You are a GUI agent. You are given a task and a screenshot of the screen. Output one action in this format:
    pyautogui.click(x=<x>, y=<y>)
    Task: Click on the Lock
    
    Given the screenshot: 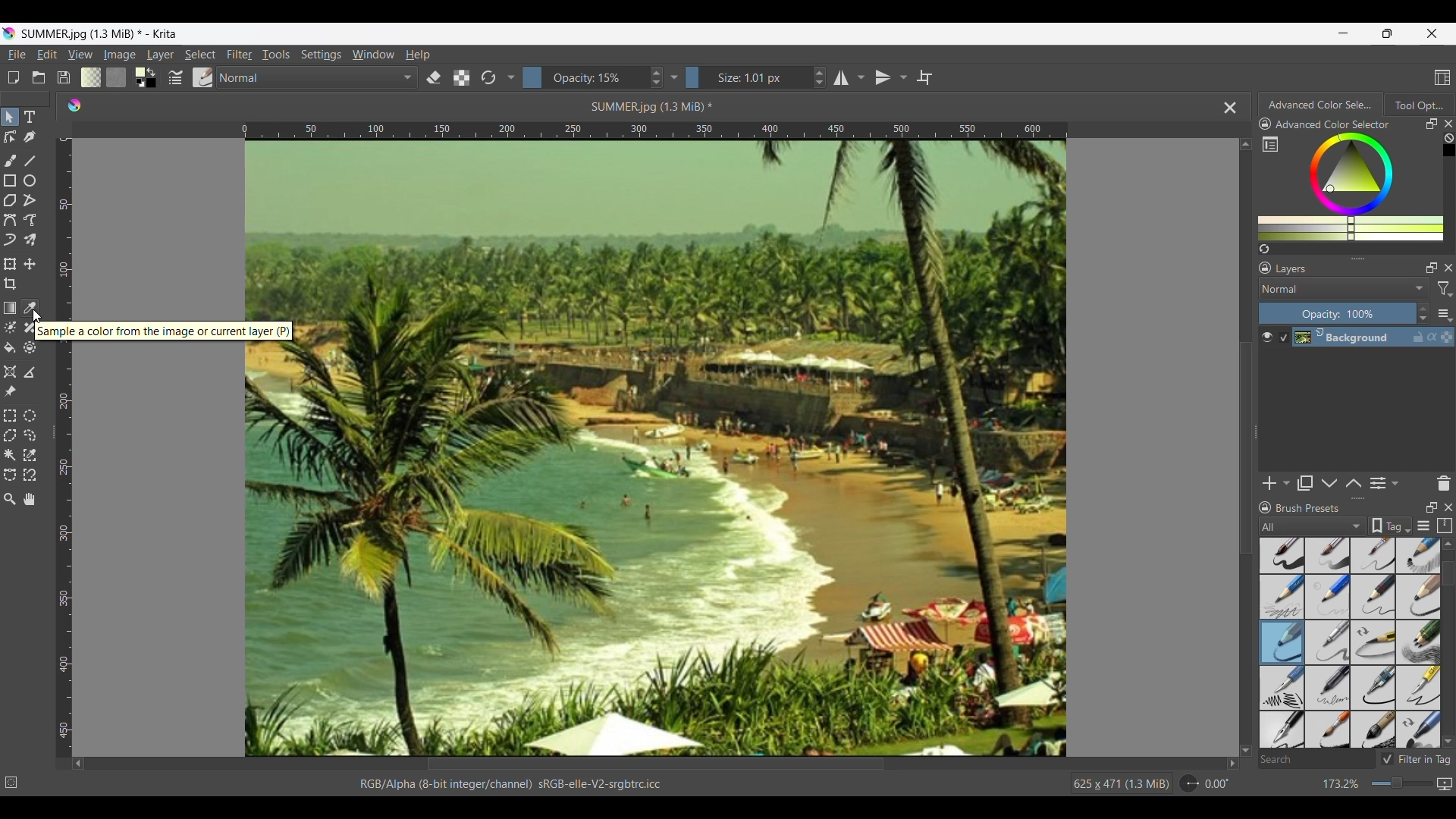 What is the action you would take?
    pyautogui.click(x=1266, y=508)
    